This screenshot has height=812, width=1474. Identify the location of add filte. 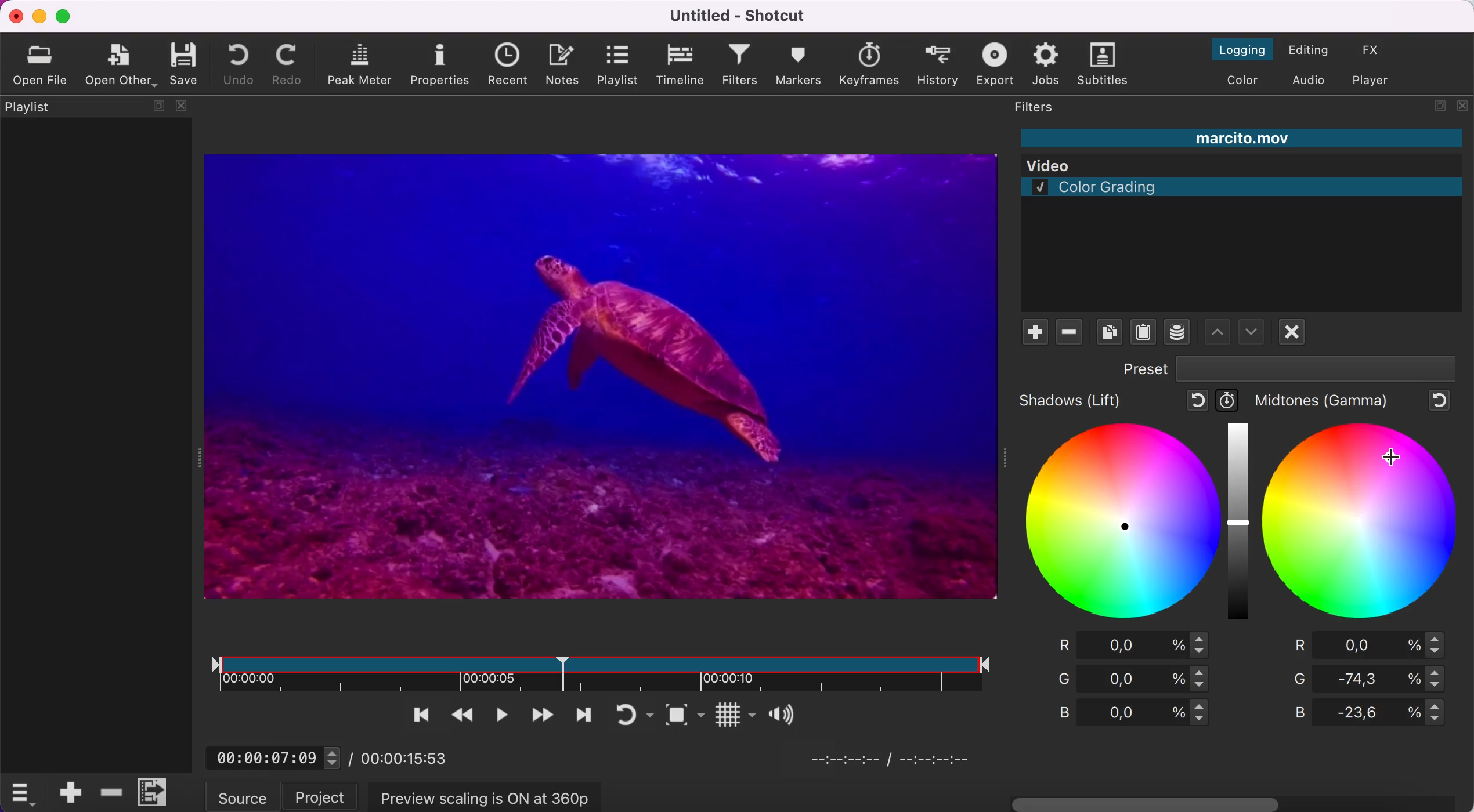
(1038, 333).